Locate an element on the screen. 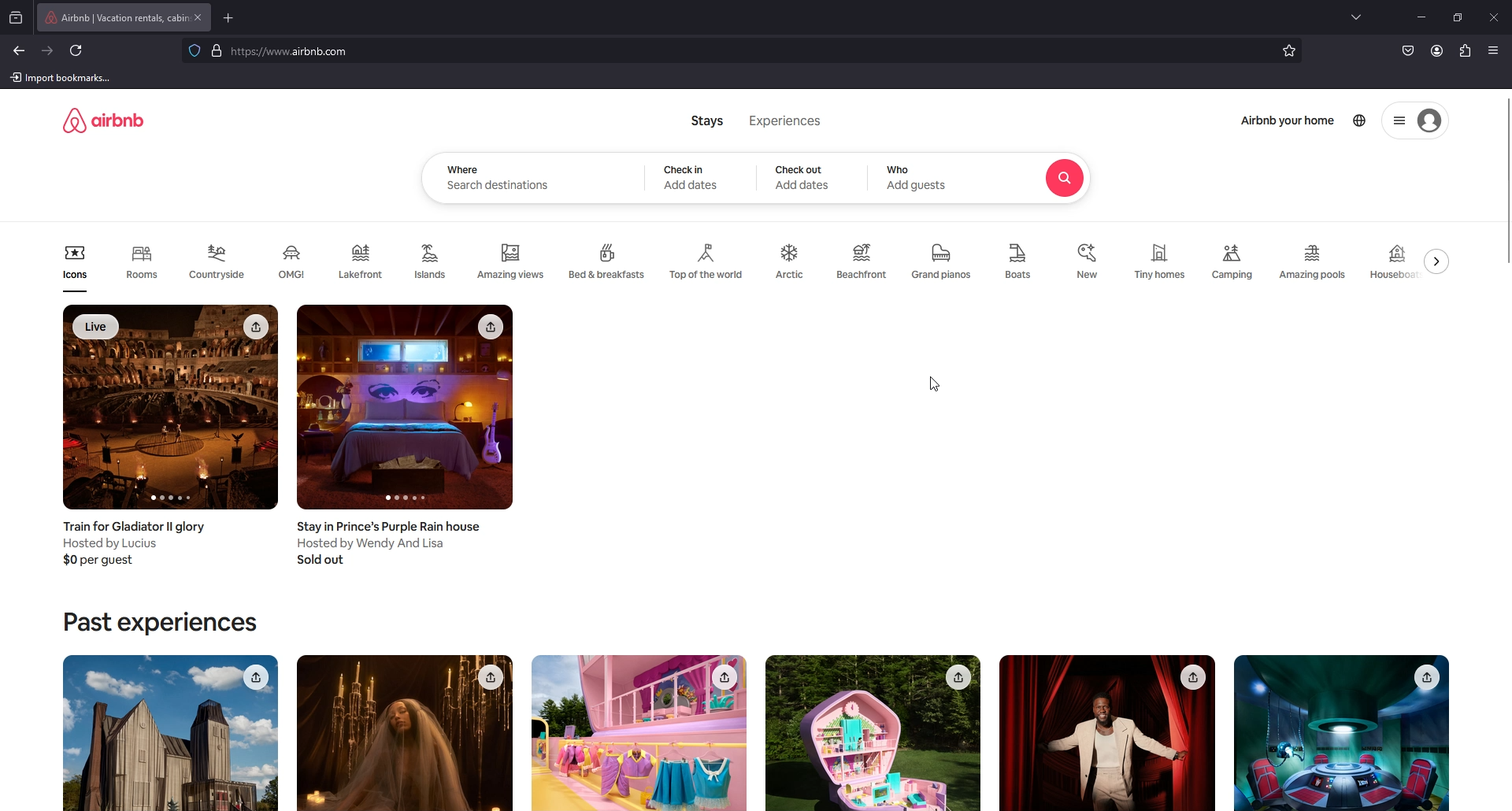 The image size is (1512, 811). Top of the world is located at coordinates (709, 262).